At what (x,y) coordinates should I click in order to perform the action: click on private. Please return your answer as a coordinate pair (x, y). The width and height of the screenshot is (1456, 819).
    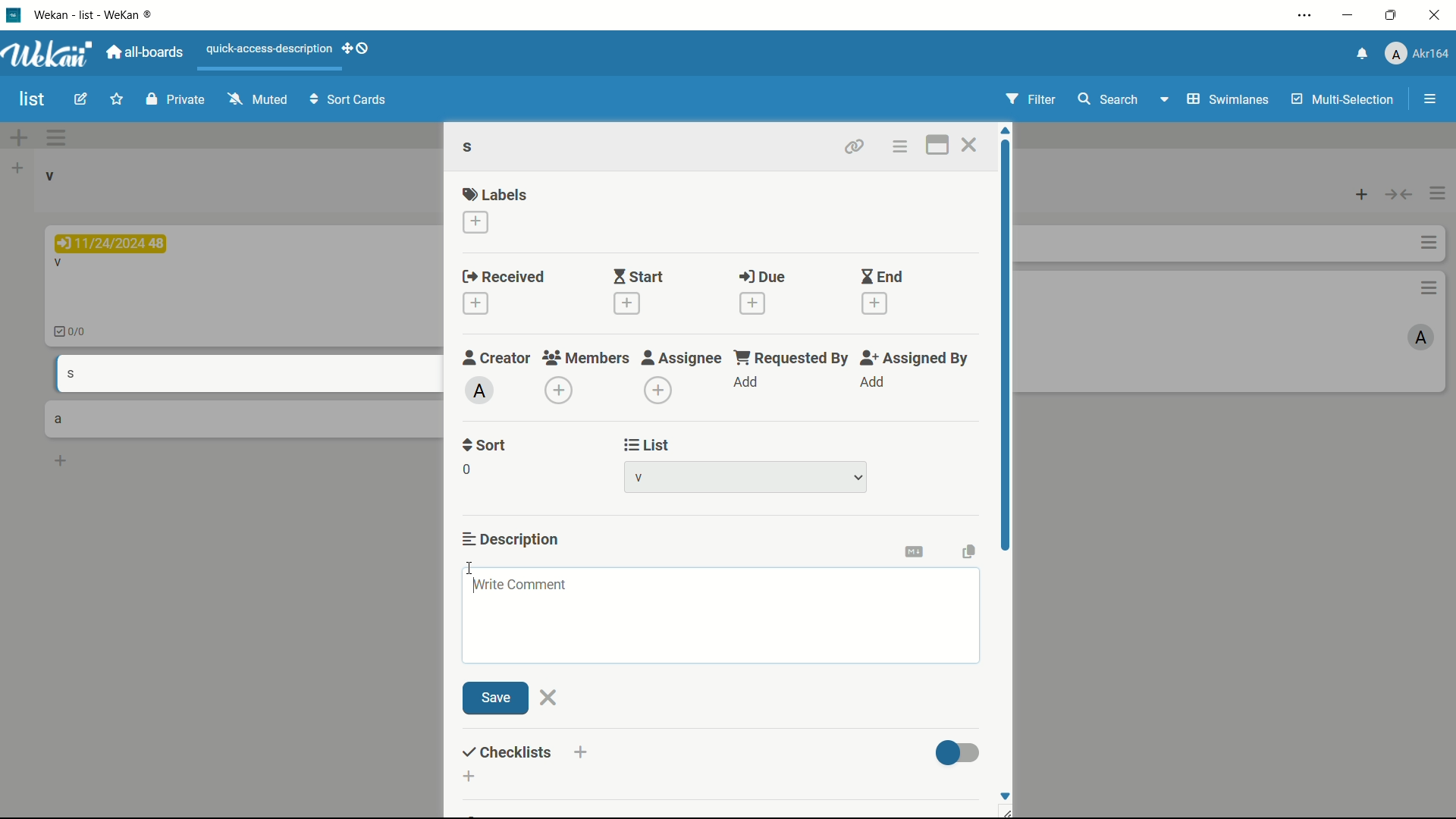
    Looking at the image, I should click on (174, 99).